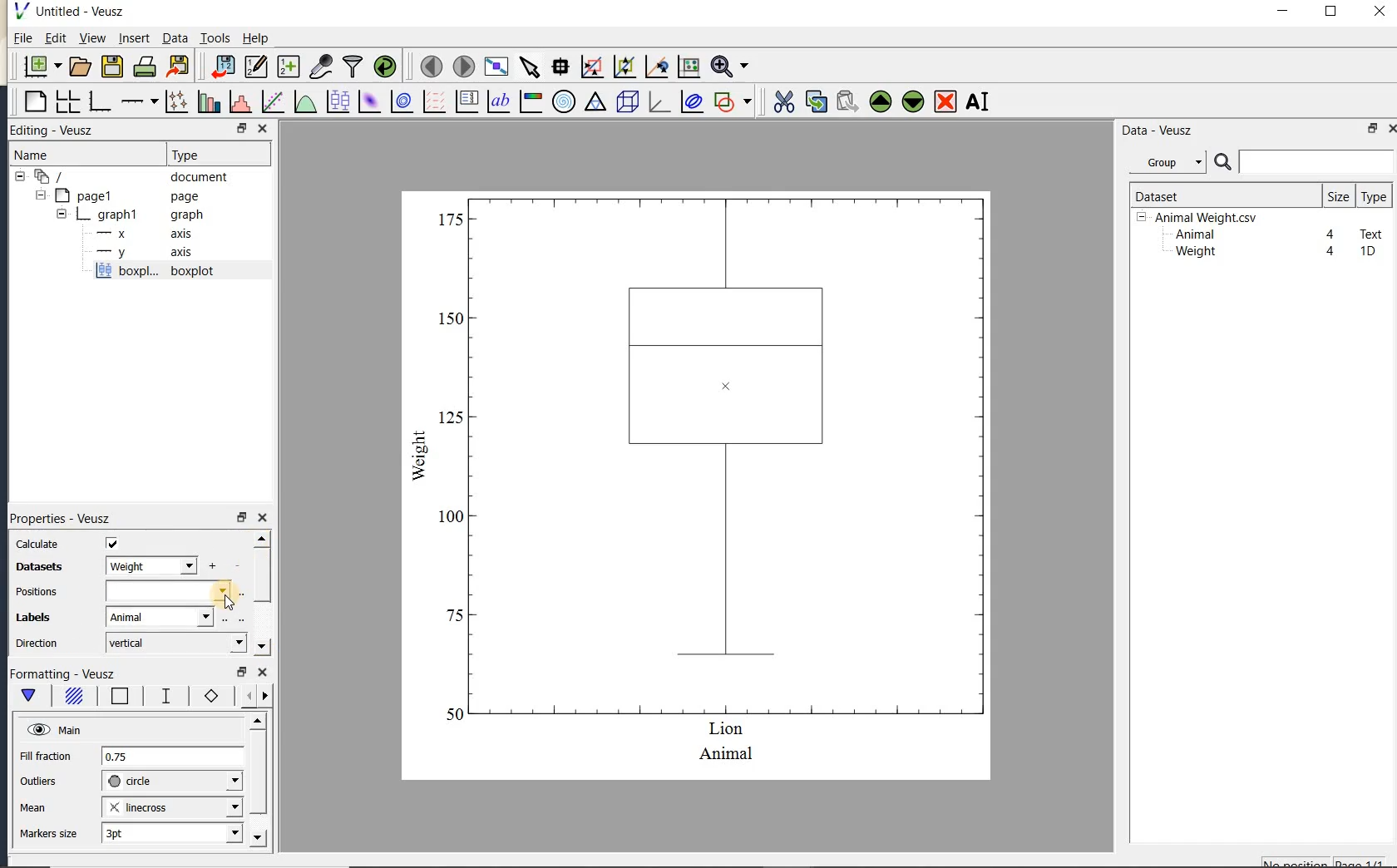 Image resolution: width=1397 pixels, height=868 pixels. Describe the element at coordinates (239, 126) in the screenshot. I see `RESTORE` at that location.